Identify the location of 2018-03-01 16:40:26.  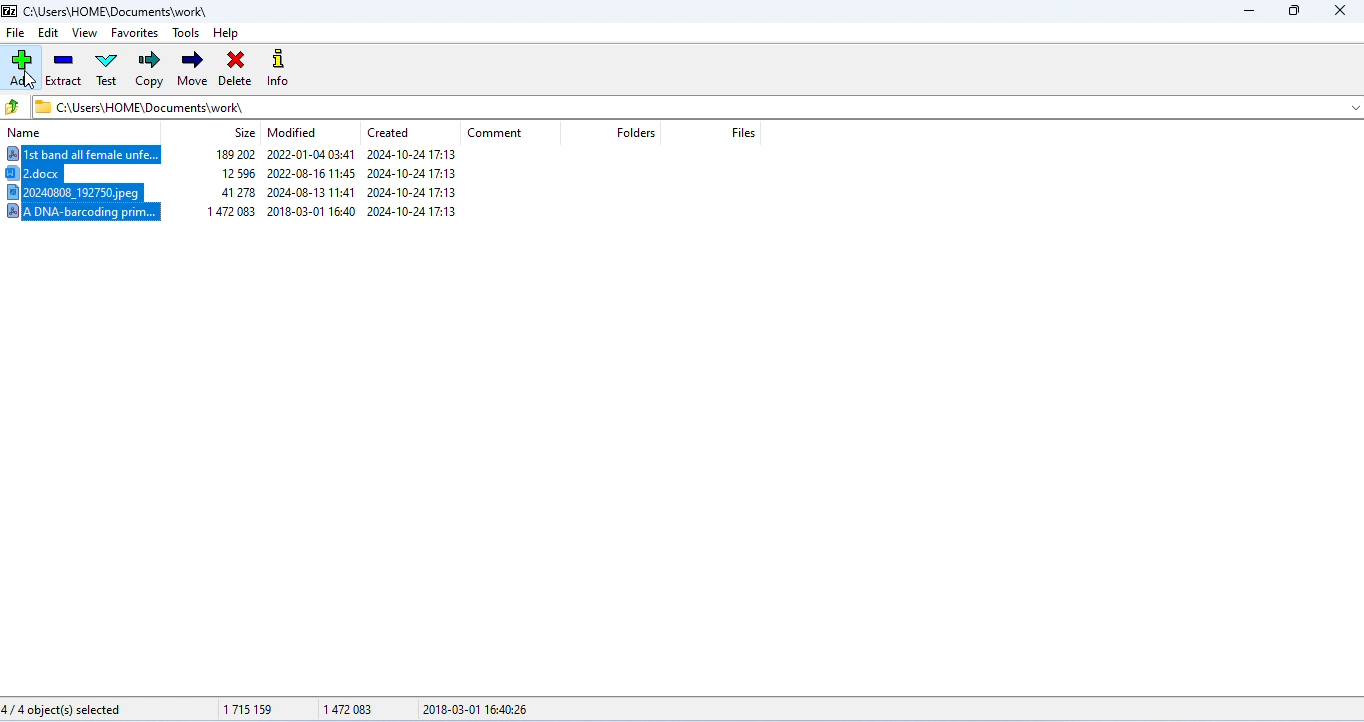
(477, 709).